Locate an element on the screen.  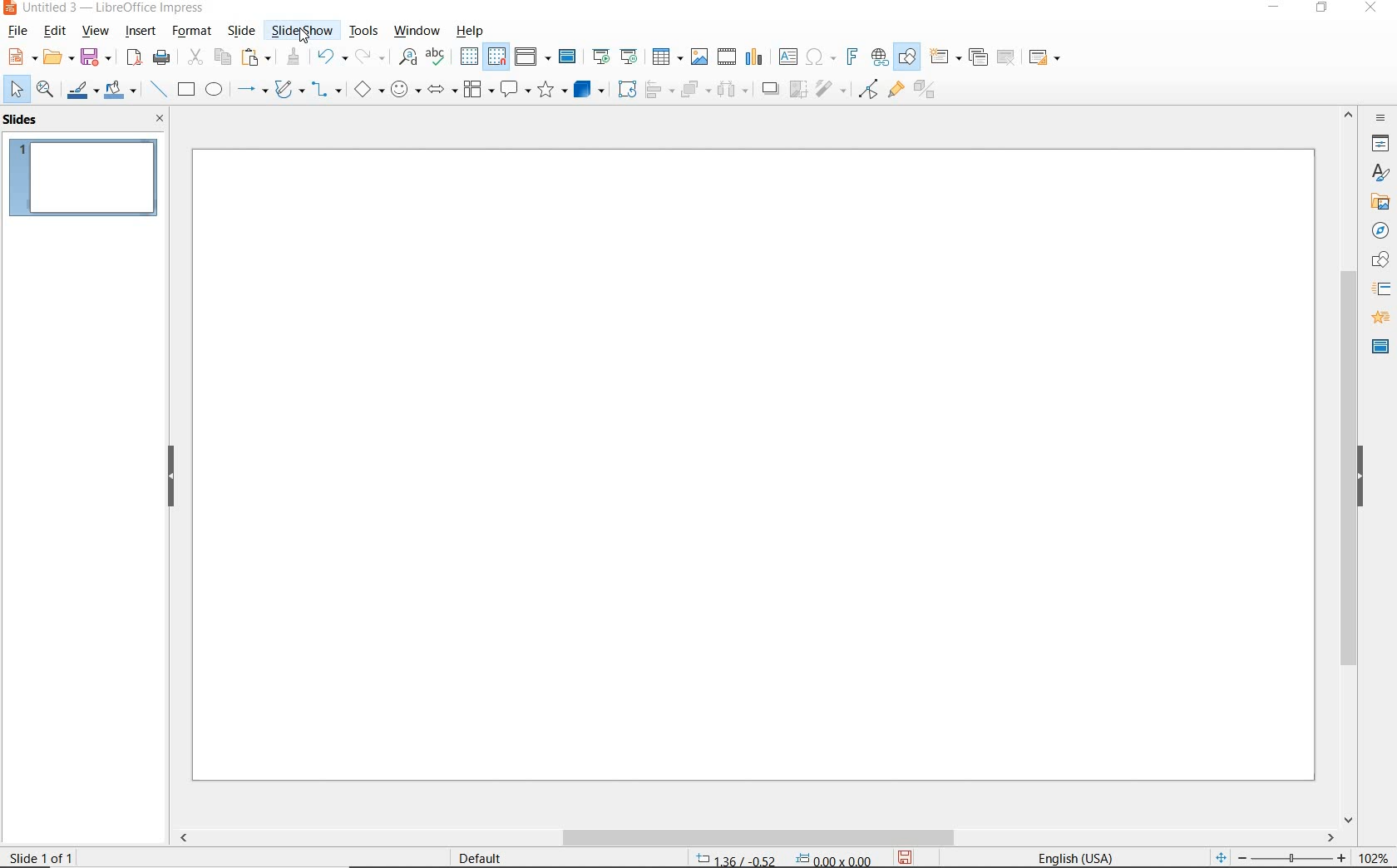
INSERT IMAGE is located at coordinates (695, 57).